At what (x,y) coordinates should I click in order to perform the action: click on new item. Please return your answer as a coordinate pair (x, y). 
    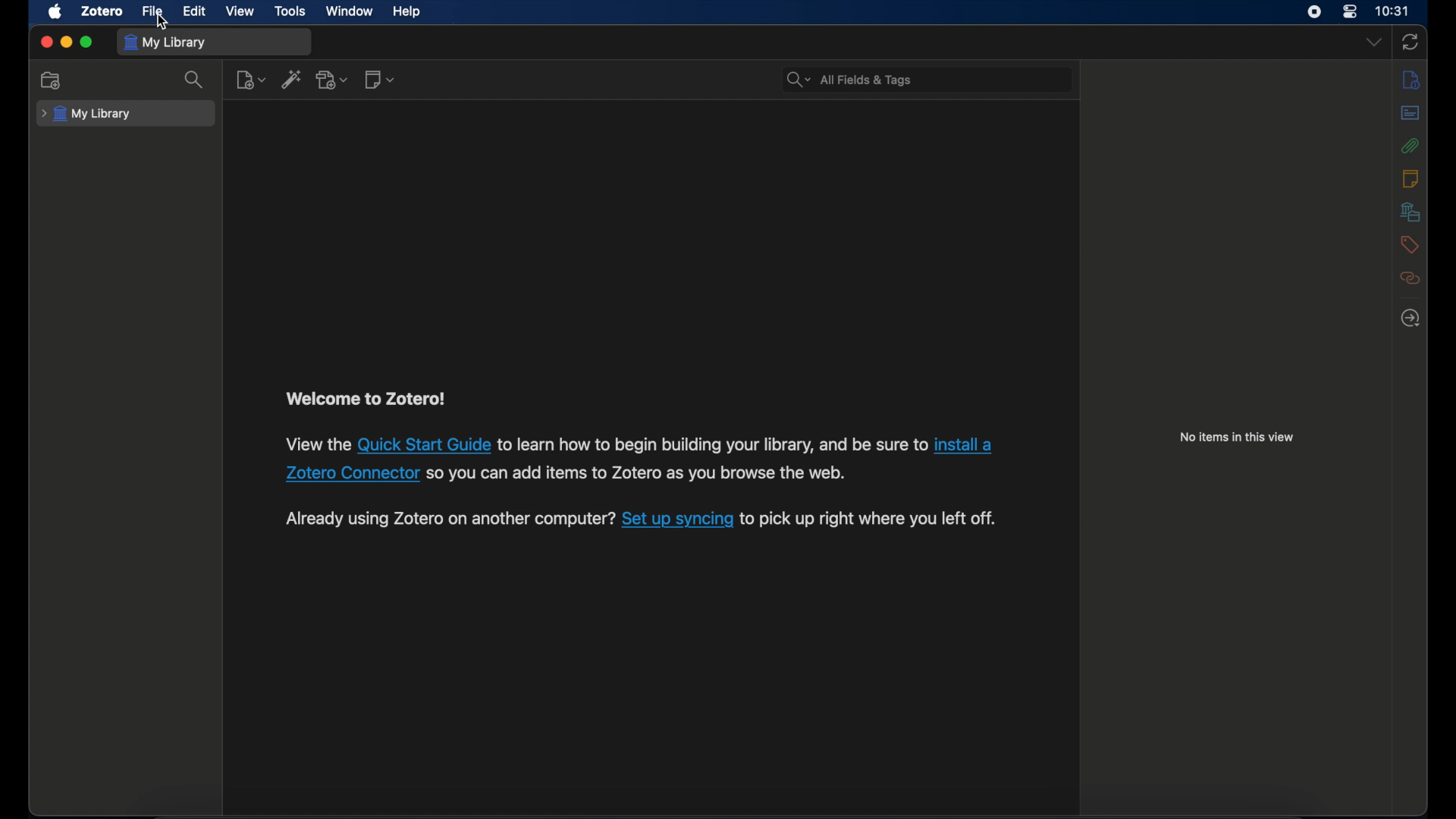
    Looking at the image, I should click on (251, 80).